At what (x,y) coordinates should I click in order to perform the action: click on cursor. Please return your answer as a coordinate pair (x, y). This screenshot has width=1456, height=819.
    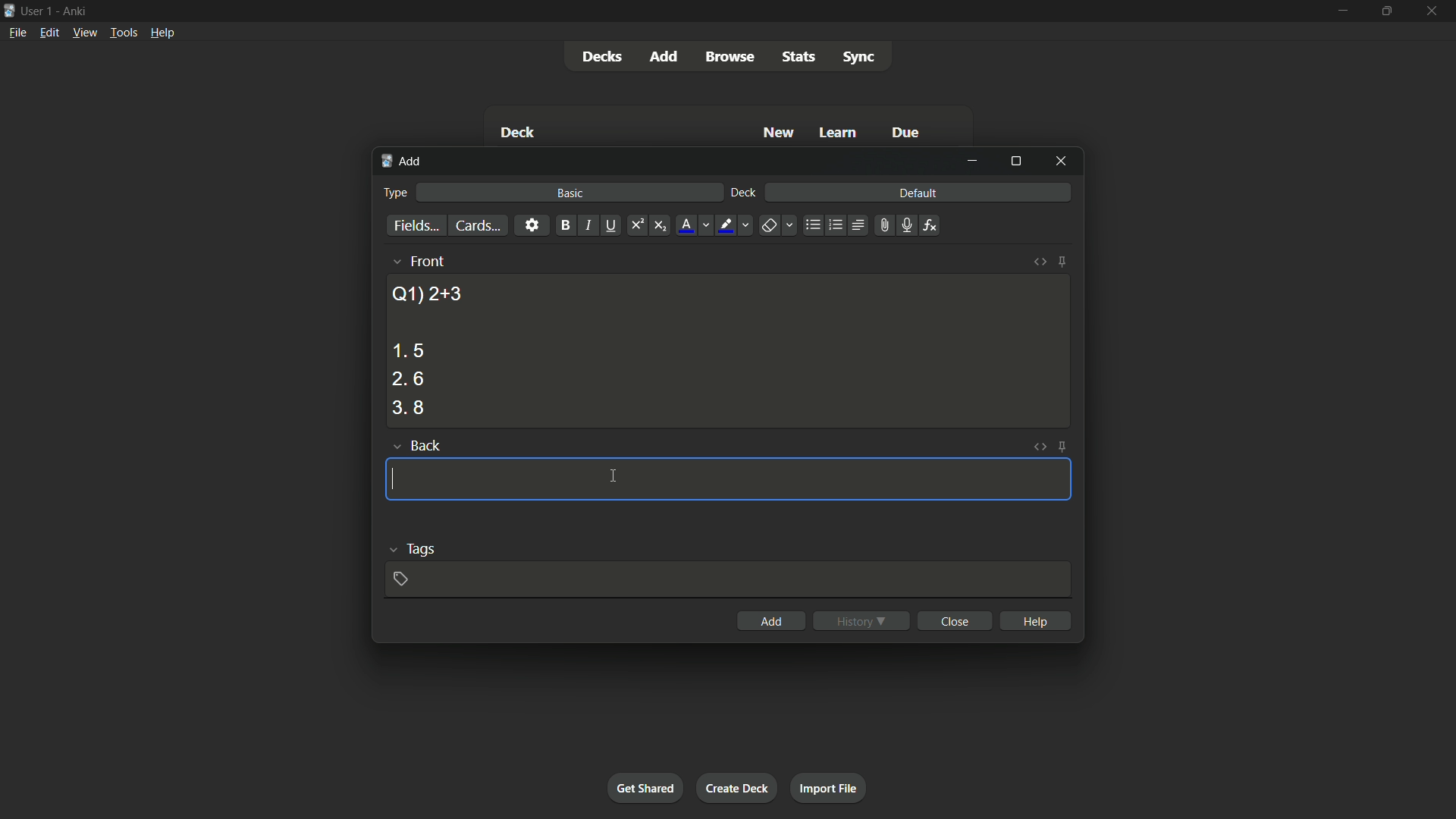
    Looking at the image, I should click on (615, 475).